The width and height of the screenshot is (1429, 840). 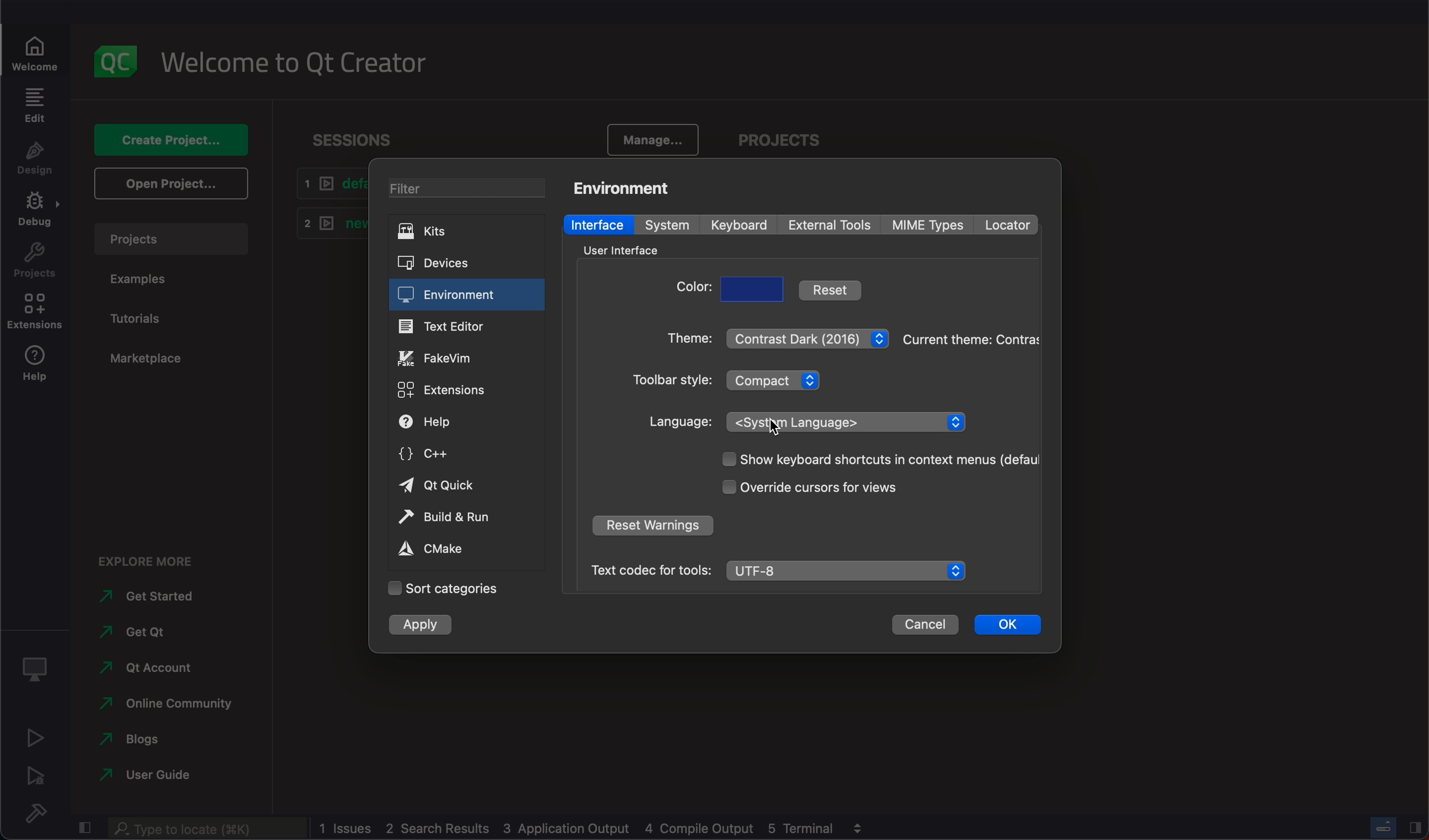 What do you see at coordinates (168, 184) in the screenshot?
I see `open` at bounding box center [168, 184].